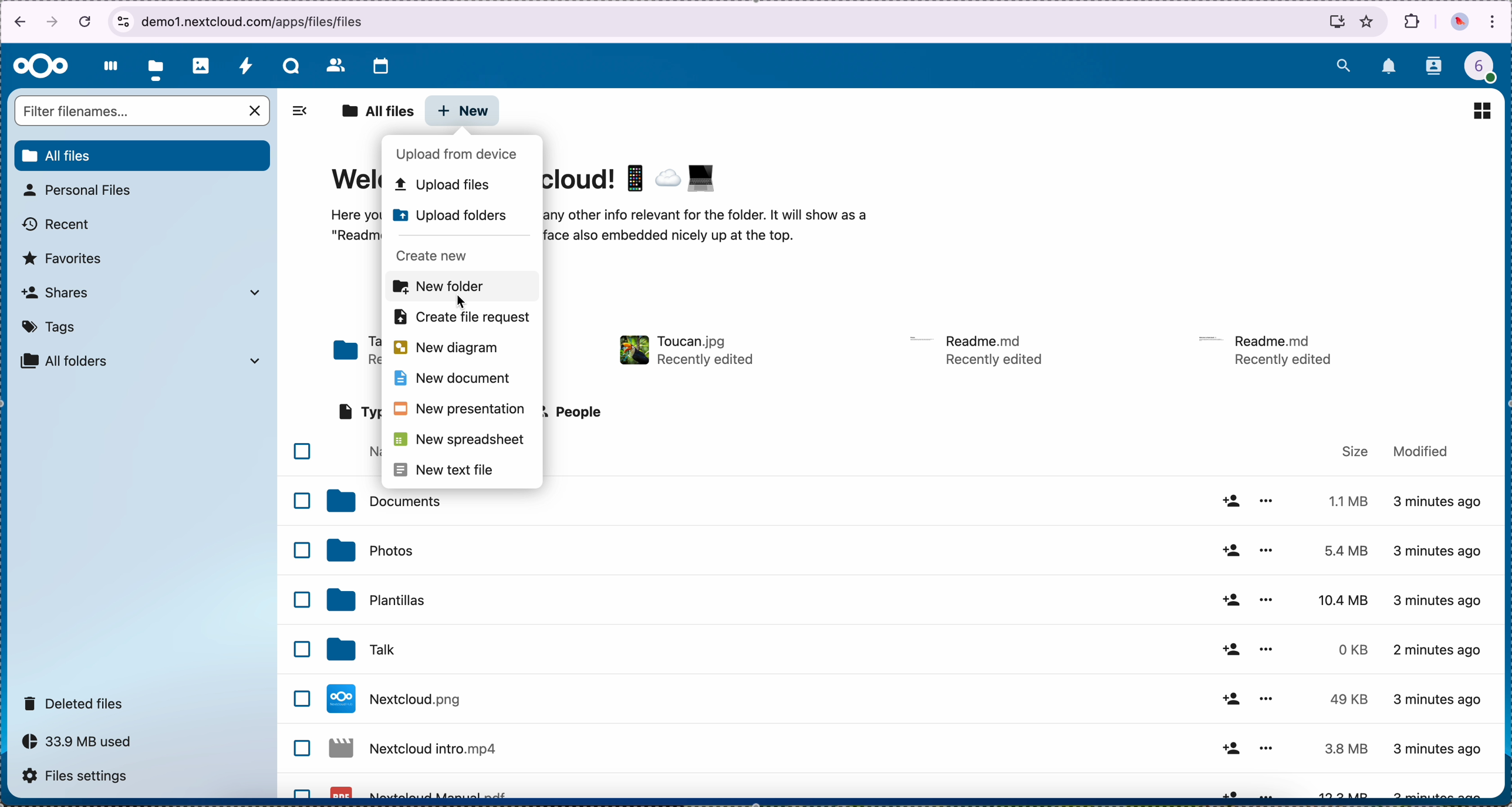 Image resolution: width=1512 pixels, height=807 pixels. I want to click on new presentation, so click(459, 410).